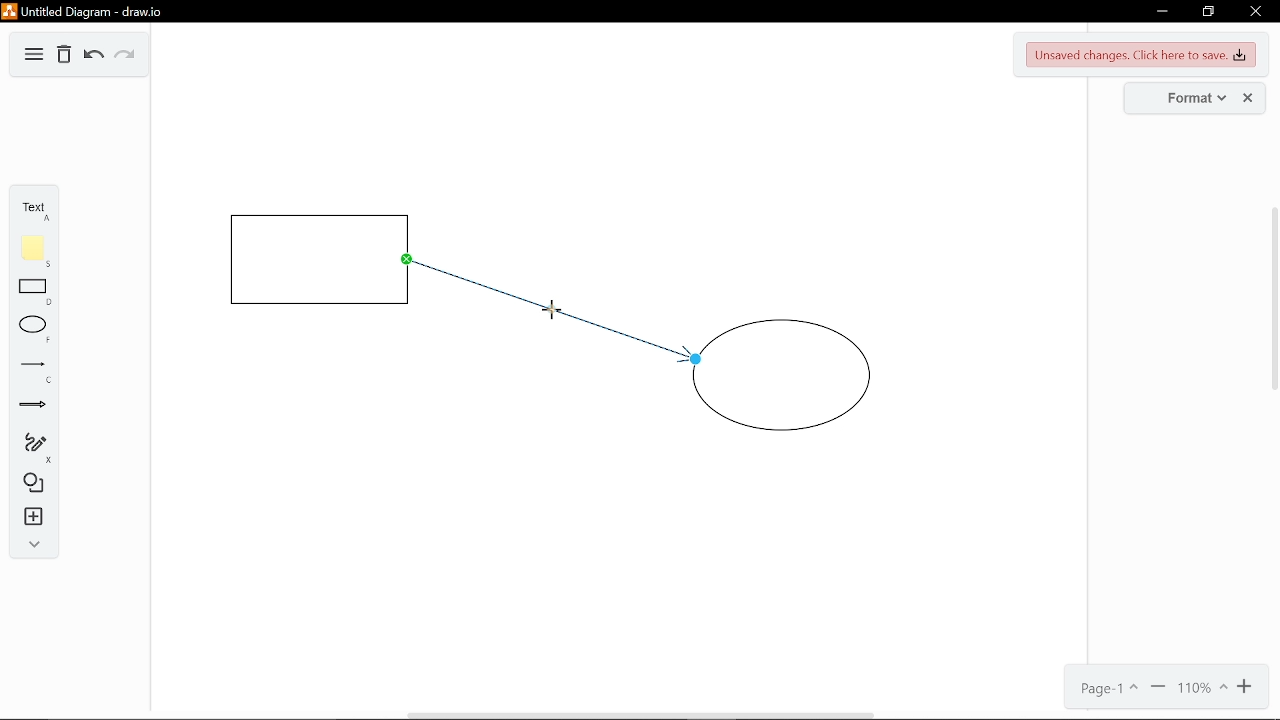 The width and height of the screenshot is (1280, 720). Describe the element at coordinates (1111, 689) in the screenshot. I see `Current page(Page 1)` at that location.